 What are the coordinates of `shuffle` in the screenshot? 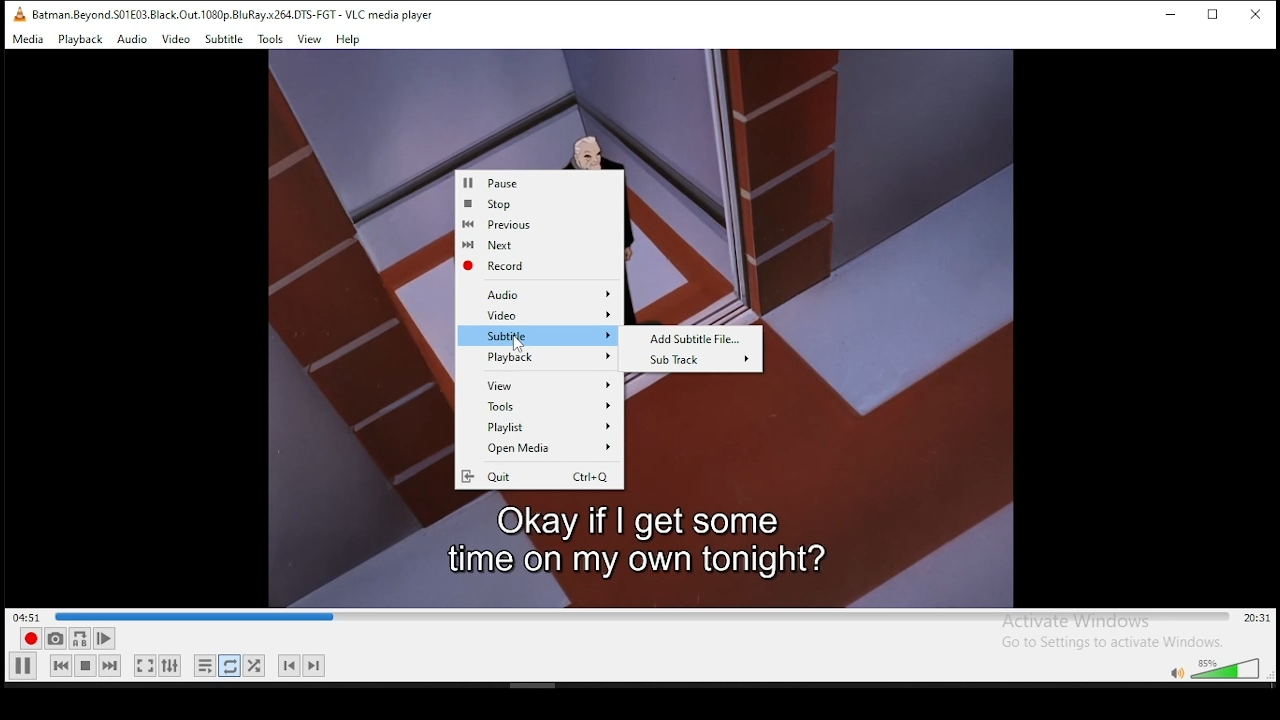 It's located at (256, 665).